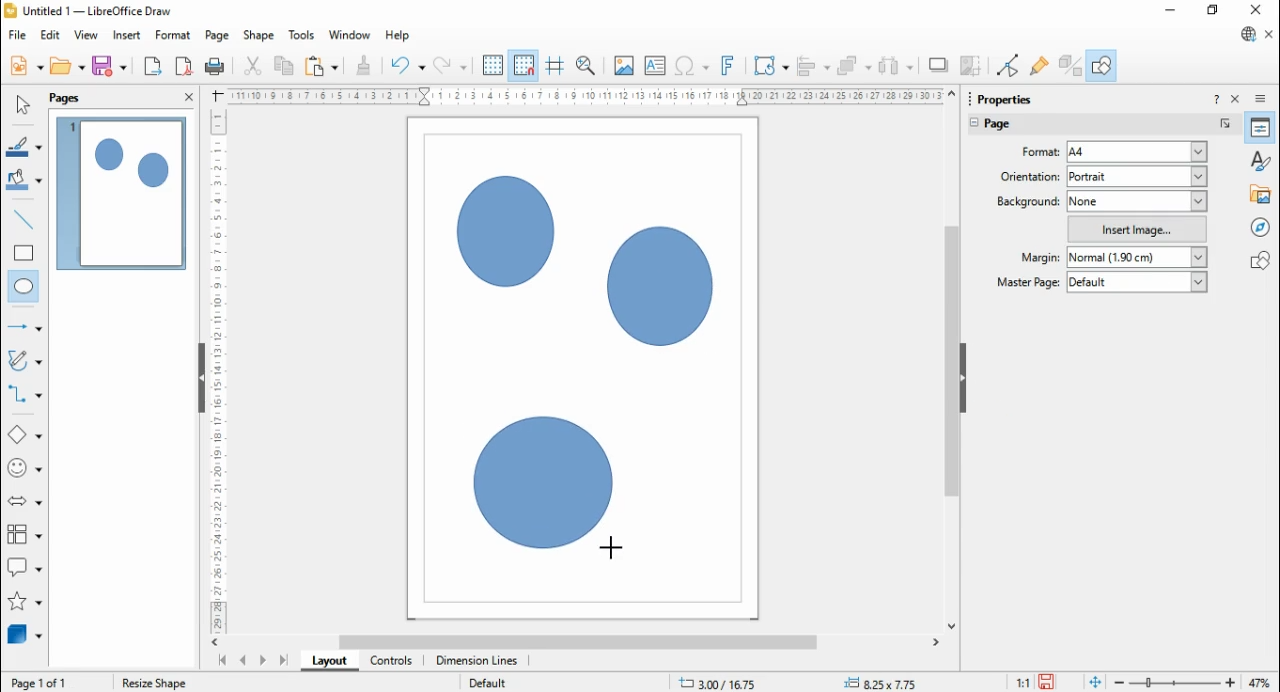  Describe the element at coordinates (252, 65) in the screenshot. I see `cut` at that location.